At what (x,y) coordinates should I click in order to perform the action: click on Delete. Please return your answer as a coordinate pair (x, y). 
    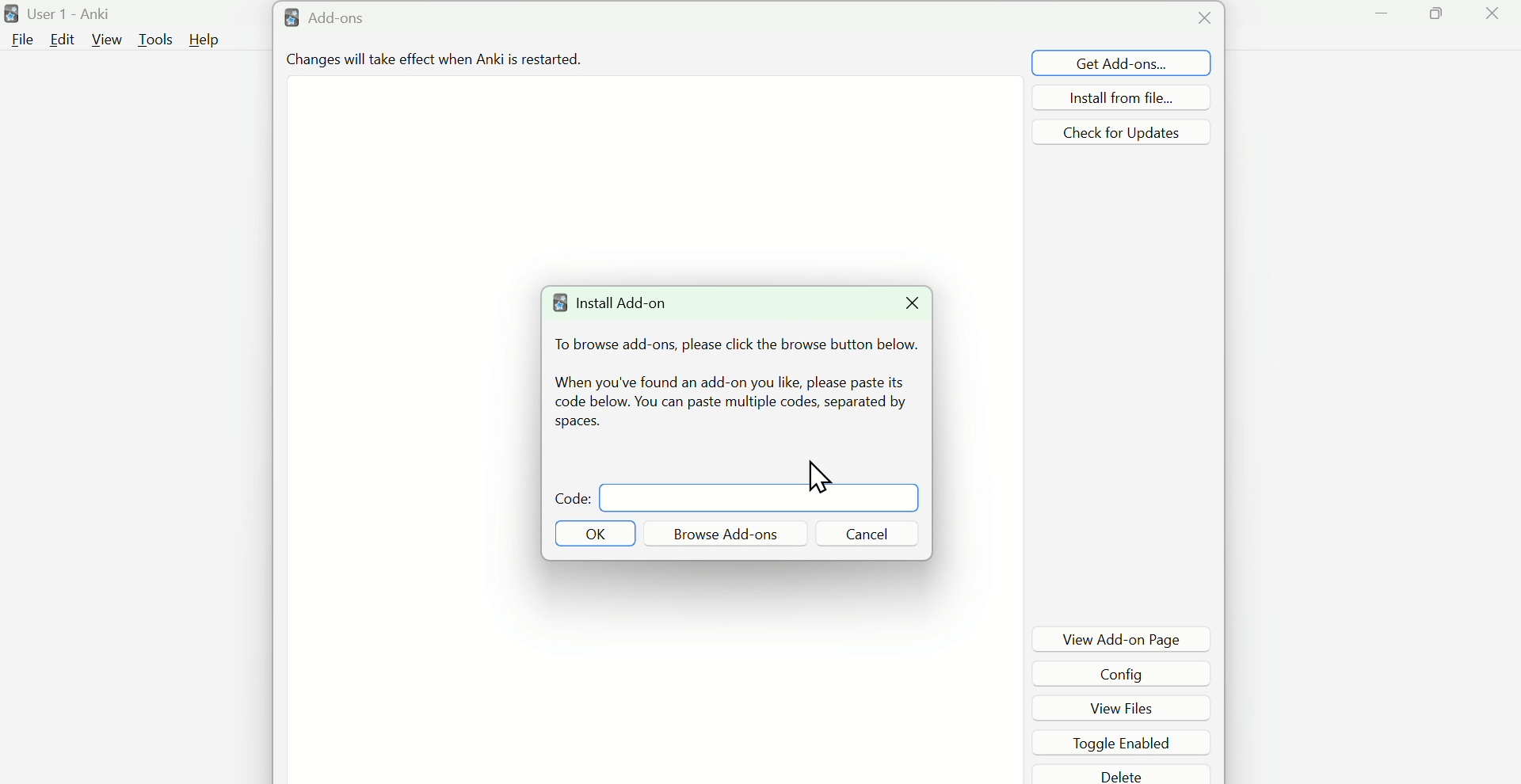
    Looking at the image, I should click on (1126, 774).